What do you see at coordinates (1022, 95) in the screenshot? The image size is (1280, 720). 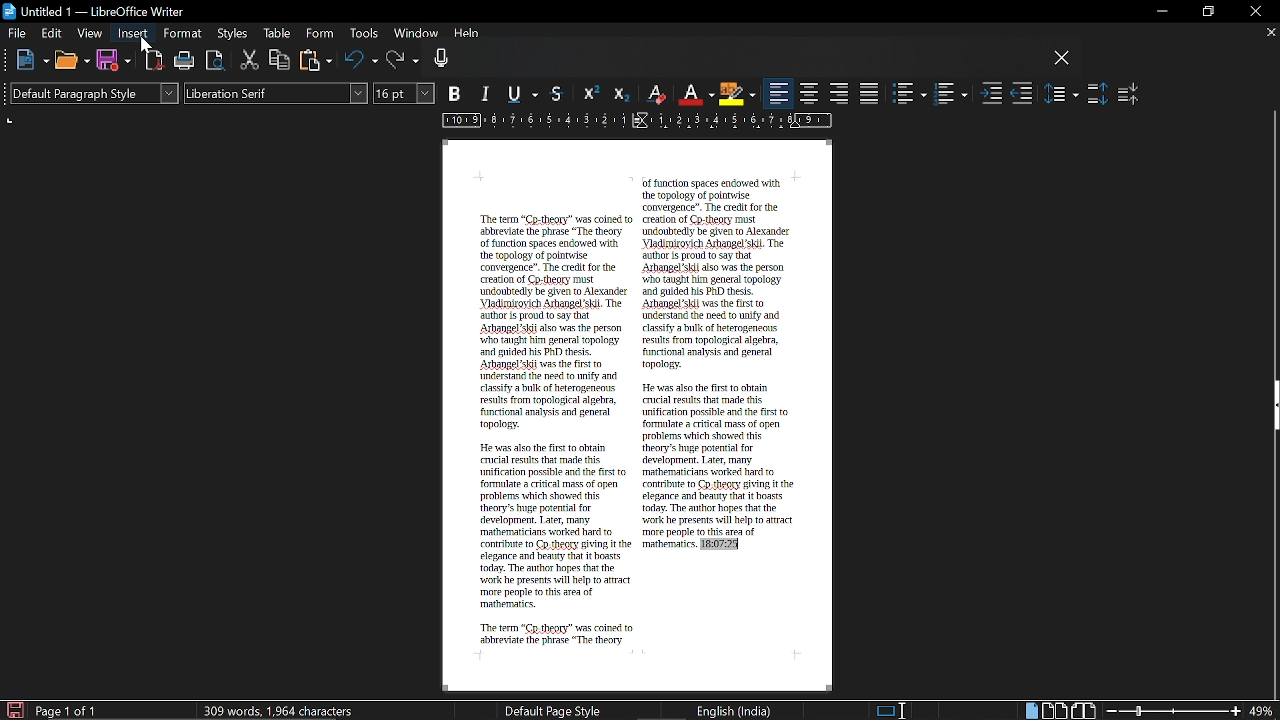 I see `Decrease indent` at bounding box center [1022, 95].